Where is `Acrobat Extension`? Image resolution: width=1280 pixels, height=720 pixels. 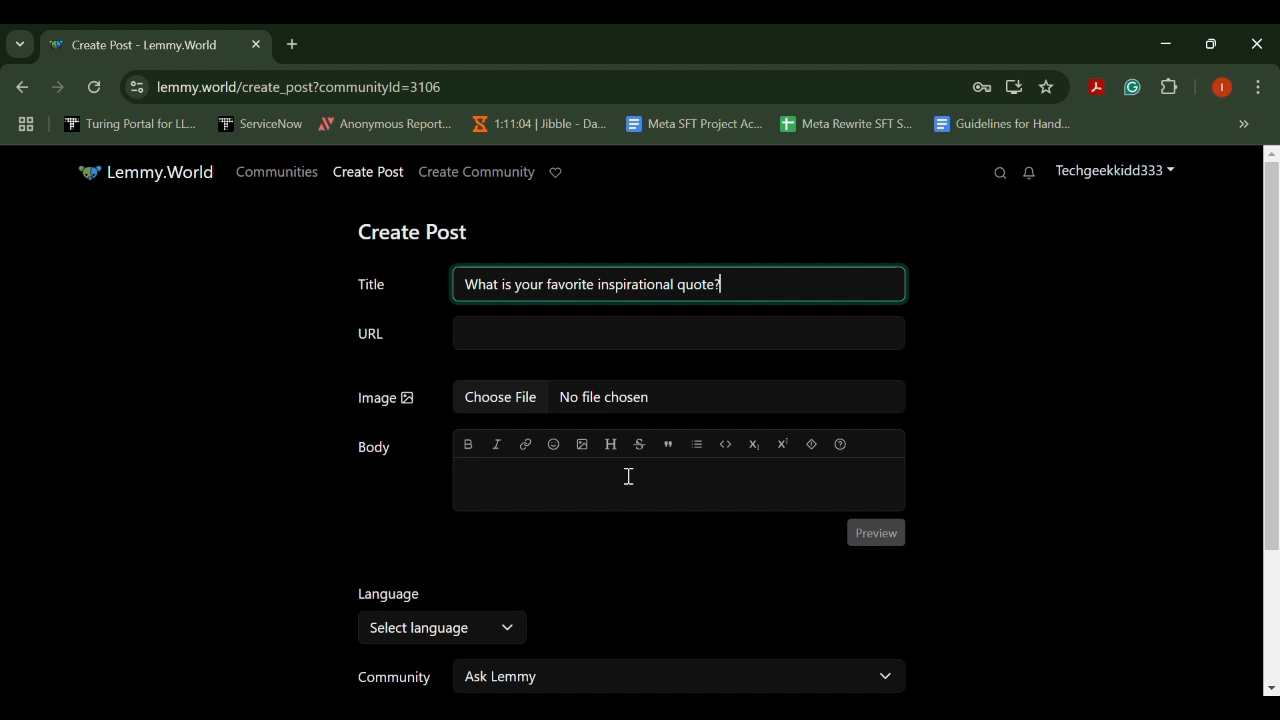
Acrobat Extension is located at coordinates (1096, 88).